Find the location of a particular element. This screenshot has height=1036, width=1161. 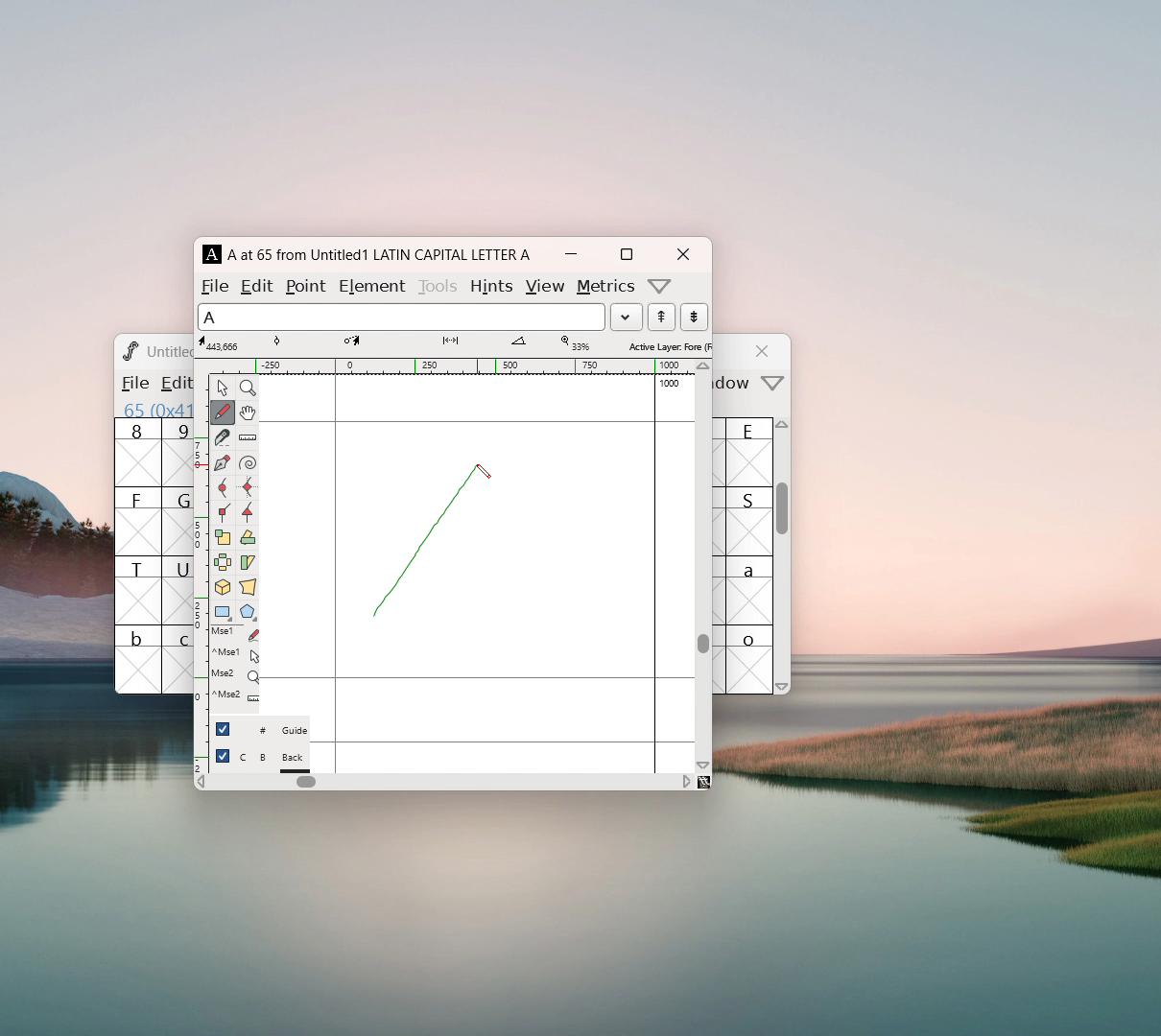

tools is located at coordinates (439, 284).